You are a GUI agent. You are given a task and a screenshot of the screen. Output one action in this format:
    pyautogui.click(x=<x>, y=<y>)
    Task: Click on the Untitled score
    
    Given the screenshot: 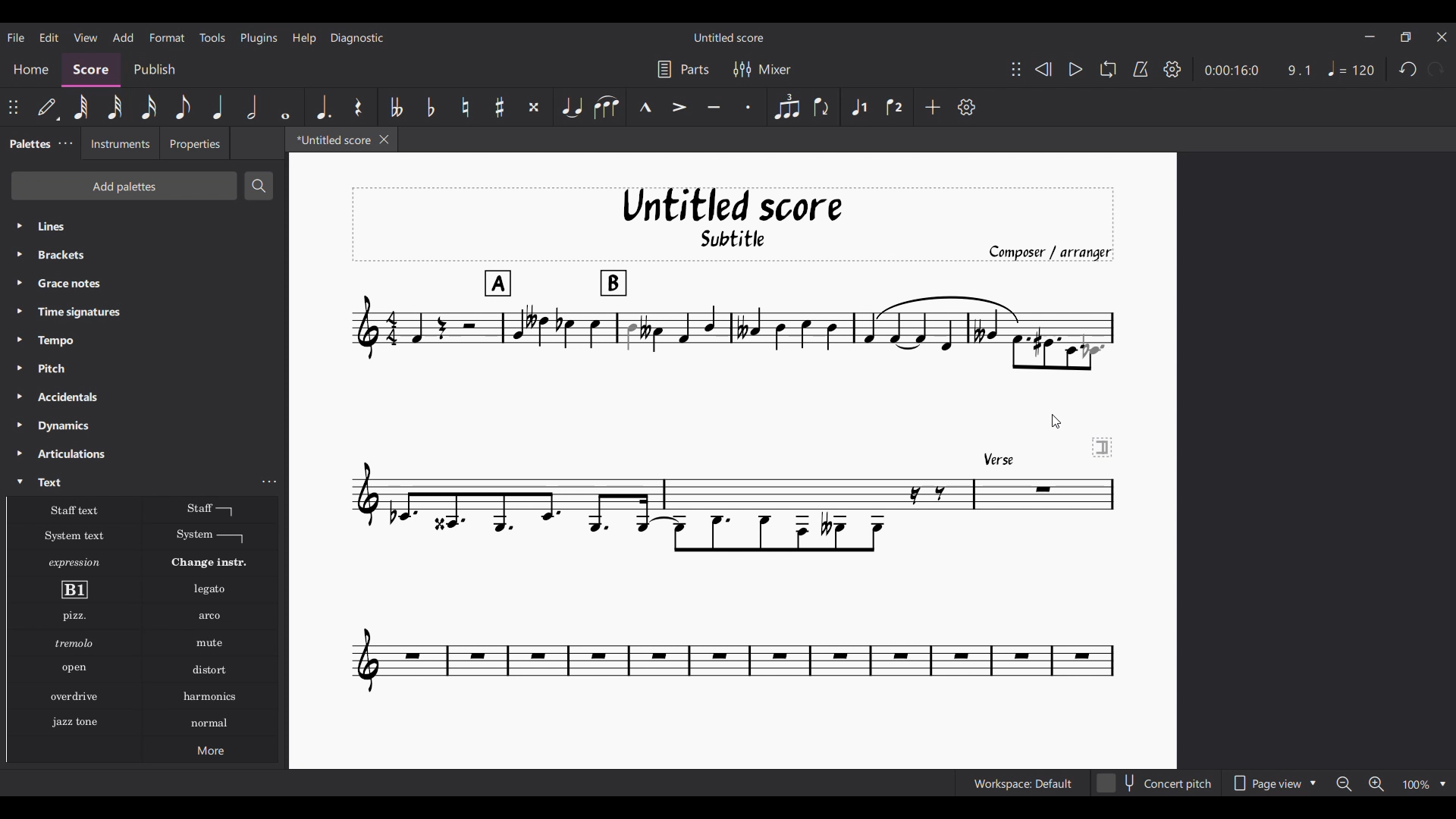 What is the action you would take?
    pyautogui.click(x=729, y=38)
    